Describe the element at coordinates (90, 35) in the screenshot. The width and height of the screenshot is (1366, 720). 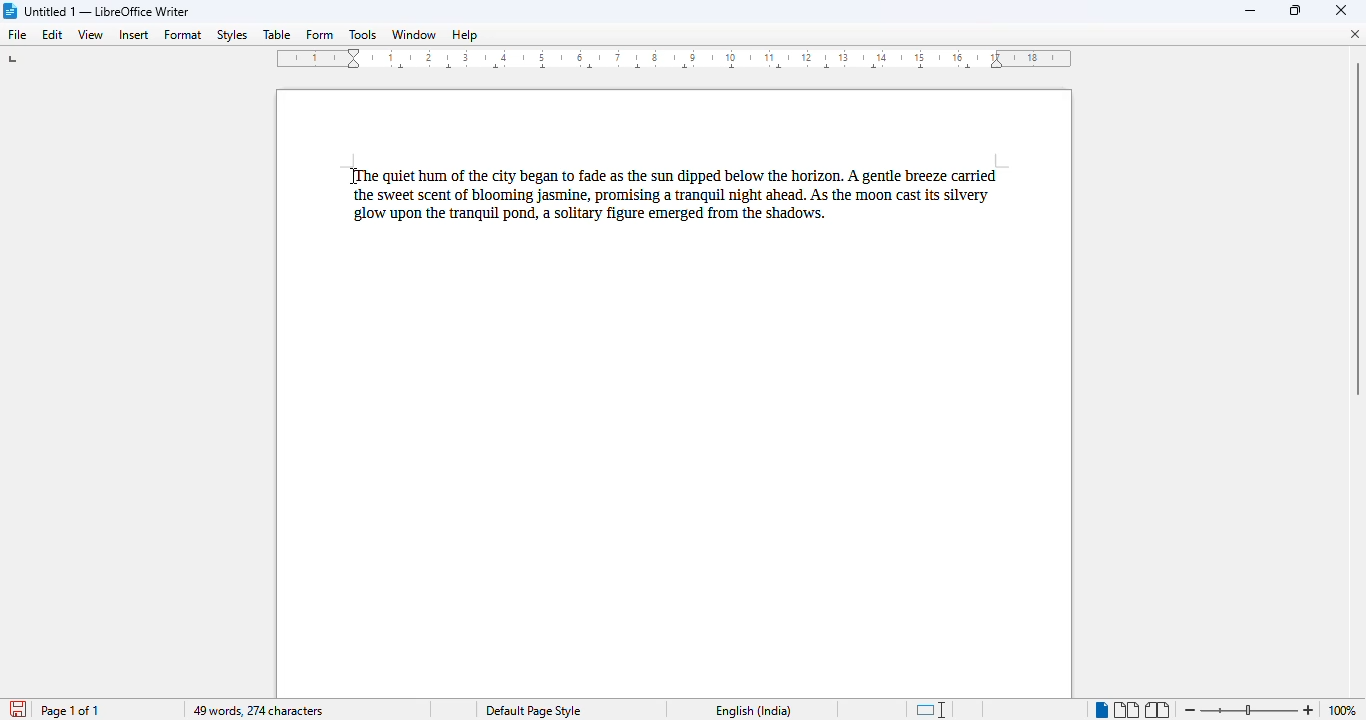
I see `view` at that location.